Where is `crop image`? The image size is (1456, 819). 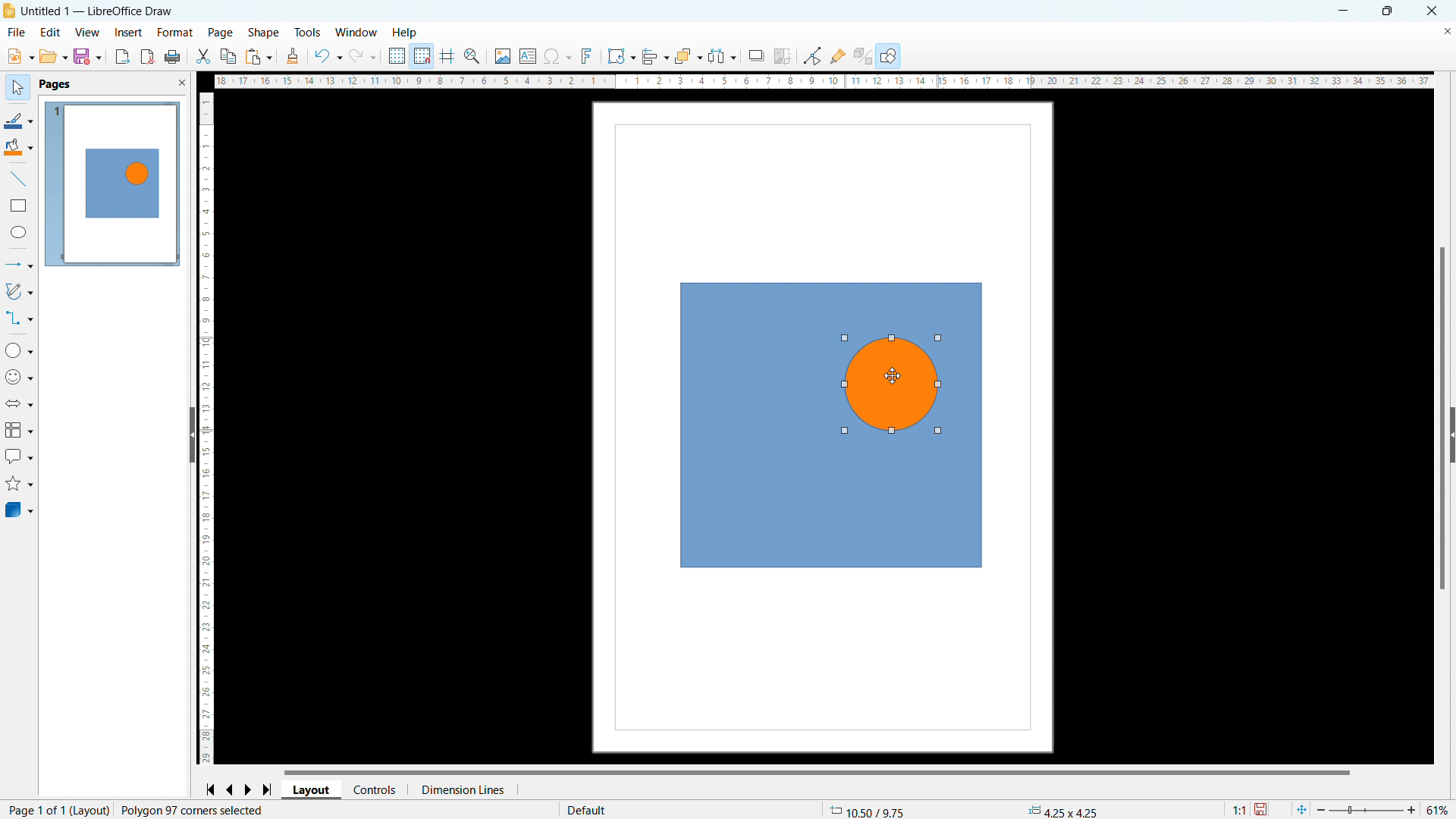
crop image is located at coordinates (783, 55).